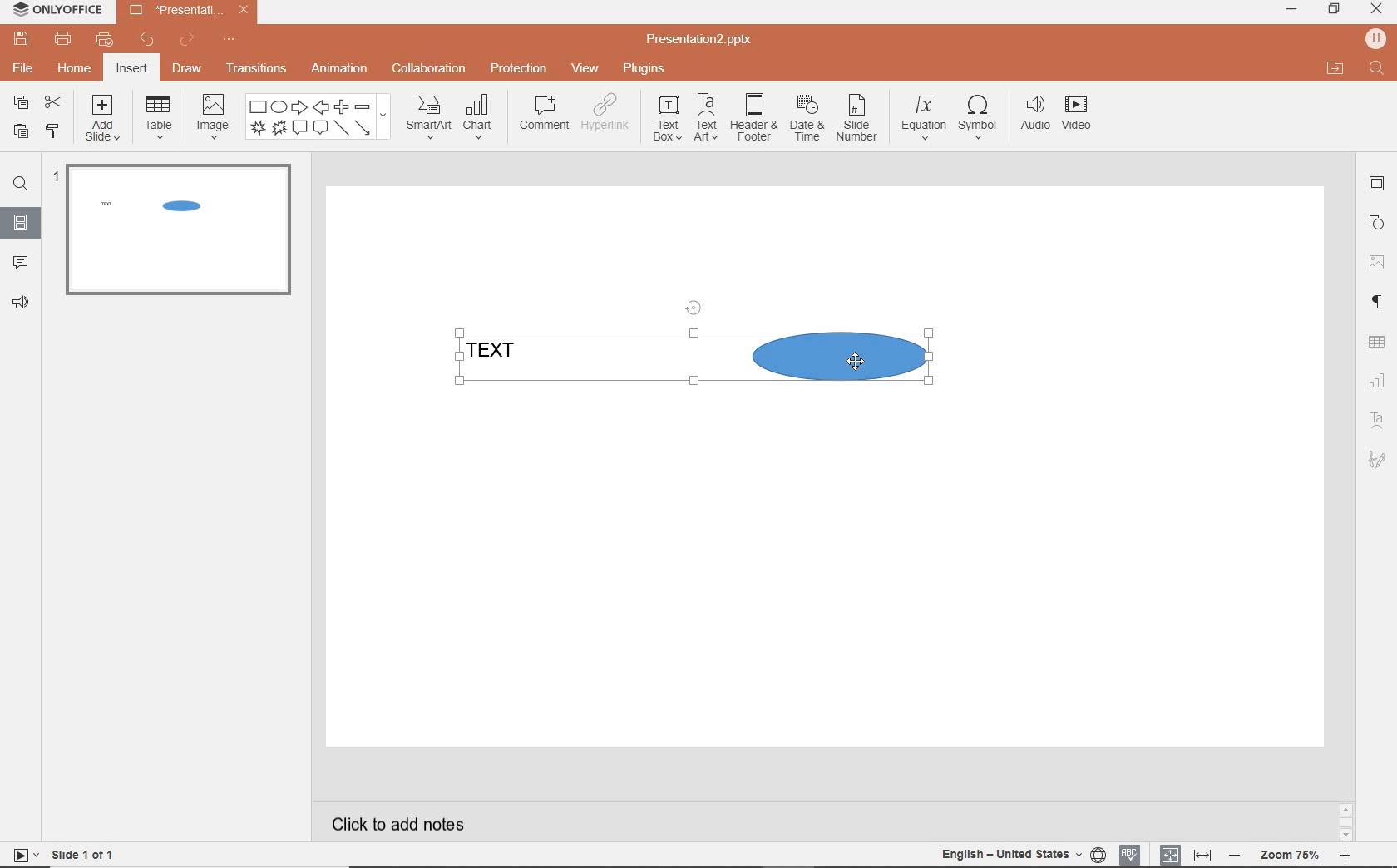 This screenshot has height=868, width=1397. What do you see at coordinates (1377, 262) in the screenshot?
I see `IMAGE SETTINGS` at bounding box center [1377, 262].